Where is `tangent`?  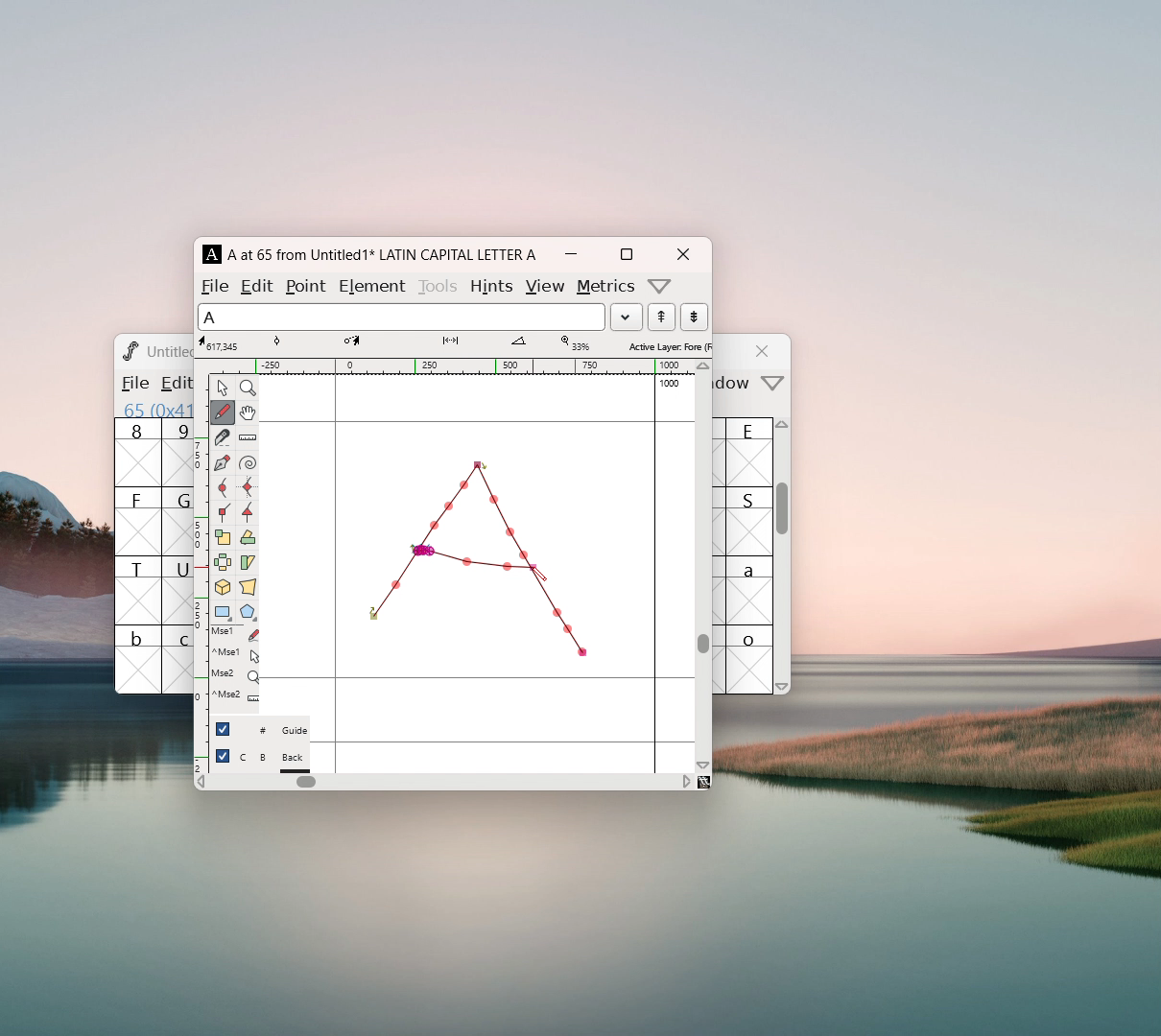 tangent is located at coordinates (296, 342).